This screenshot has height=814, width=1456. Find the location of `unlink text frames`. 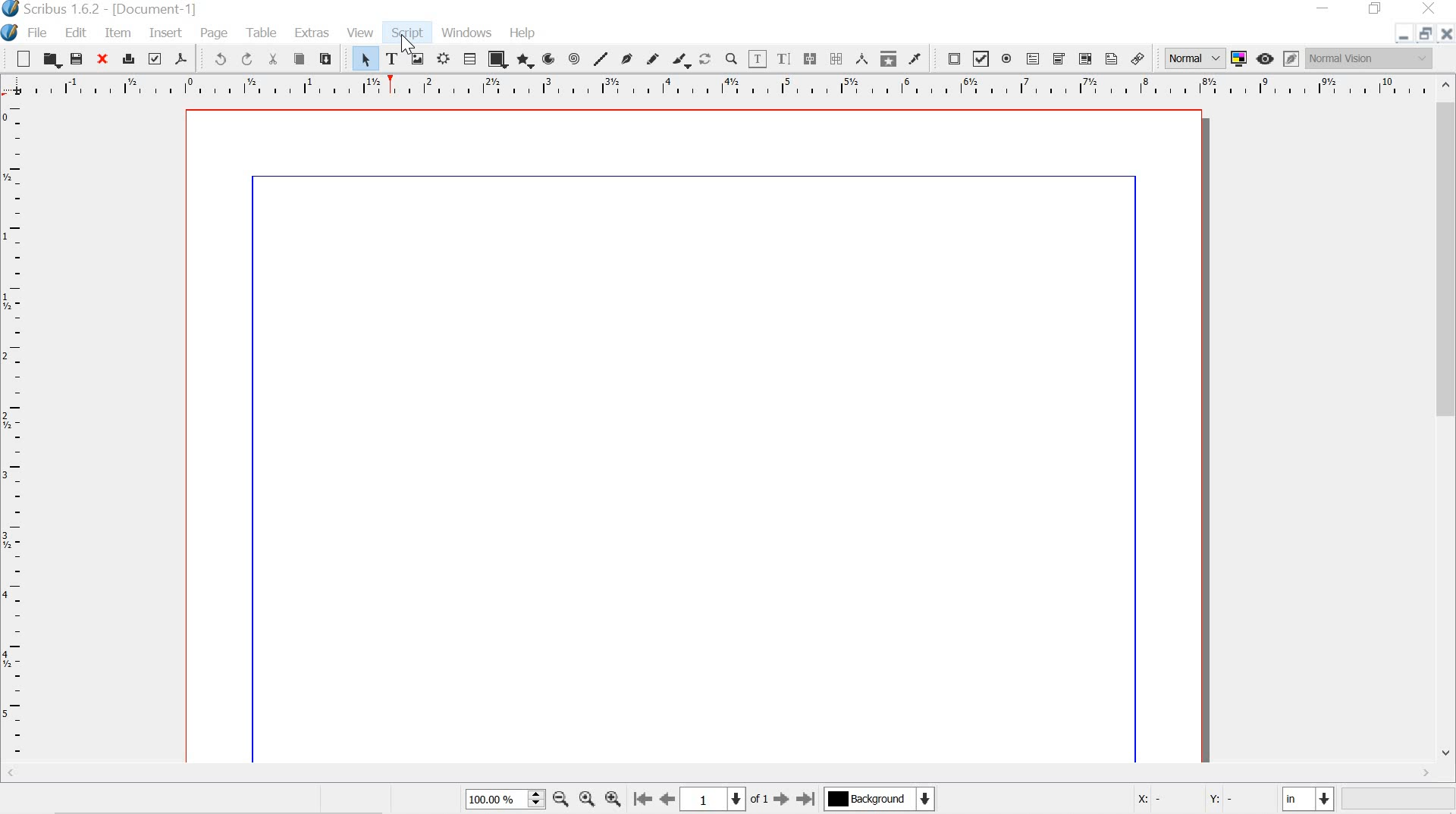

unlink text frames is located at coordinates (836, 58).